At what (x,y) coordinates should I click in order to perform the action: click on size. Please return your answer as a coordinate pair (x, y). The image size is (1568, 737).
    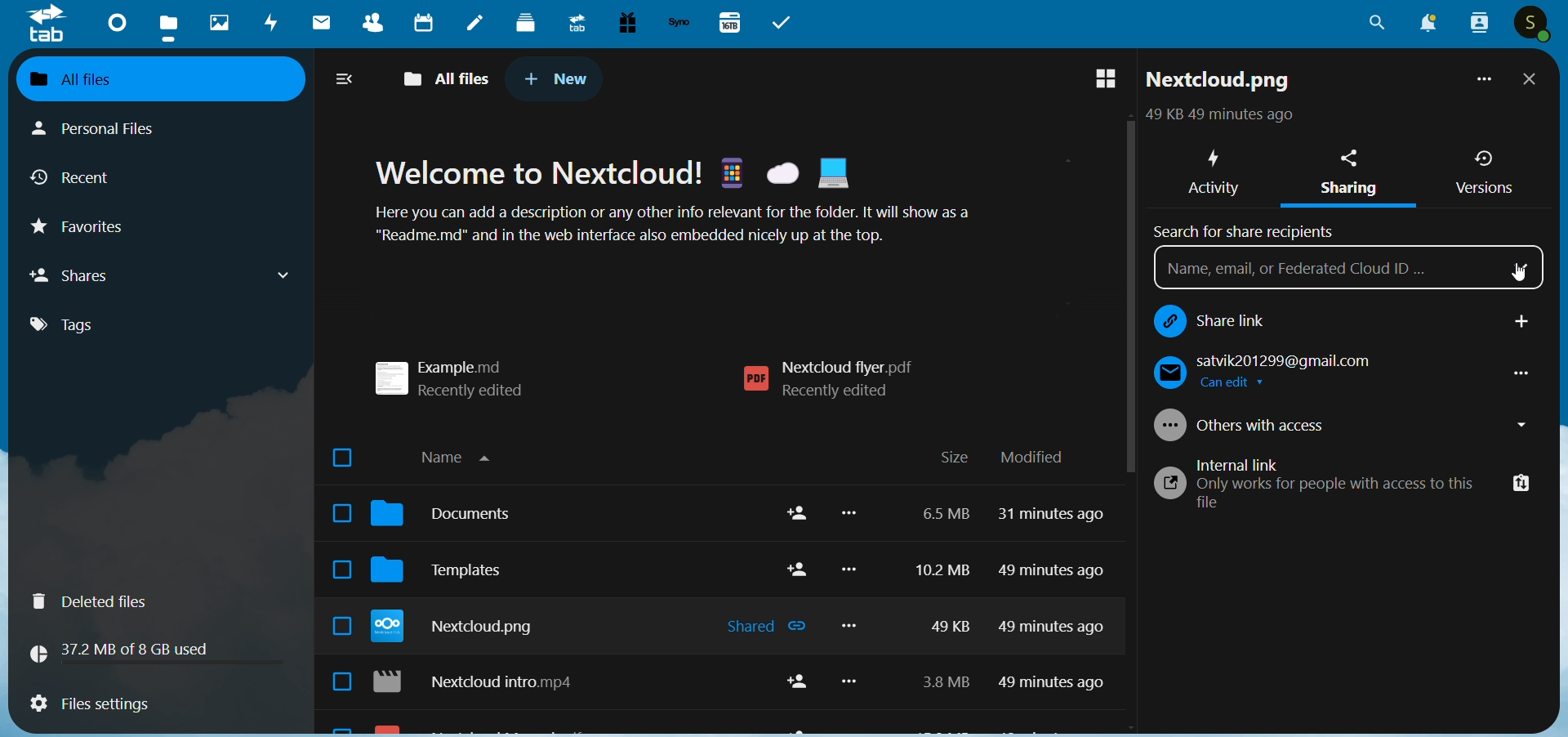
    Looking at the image, I should click on (954, 458).